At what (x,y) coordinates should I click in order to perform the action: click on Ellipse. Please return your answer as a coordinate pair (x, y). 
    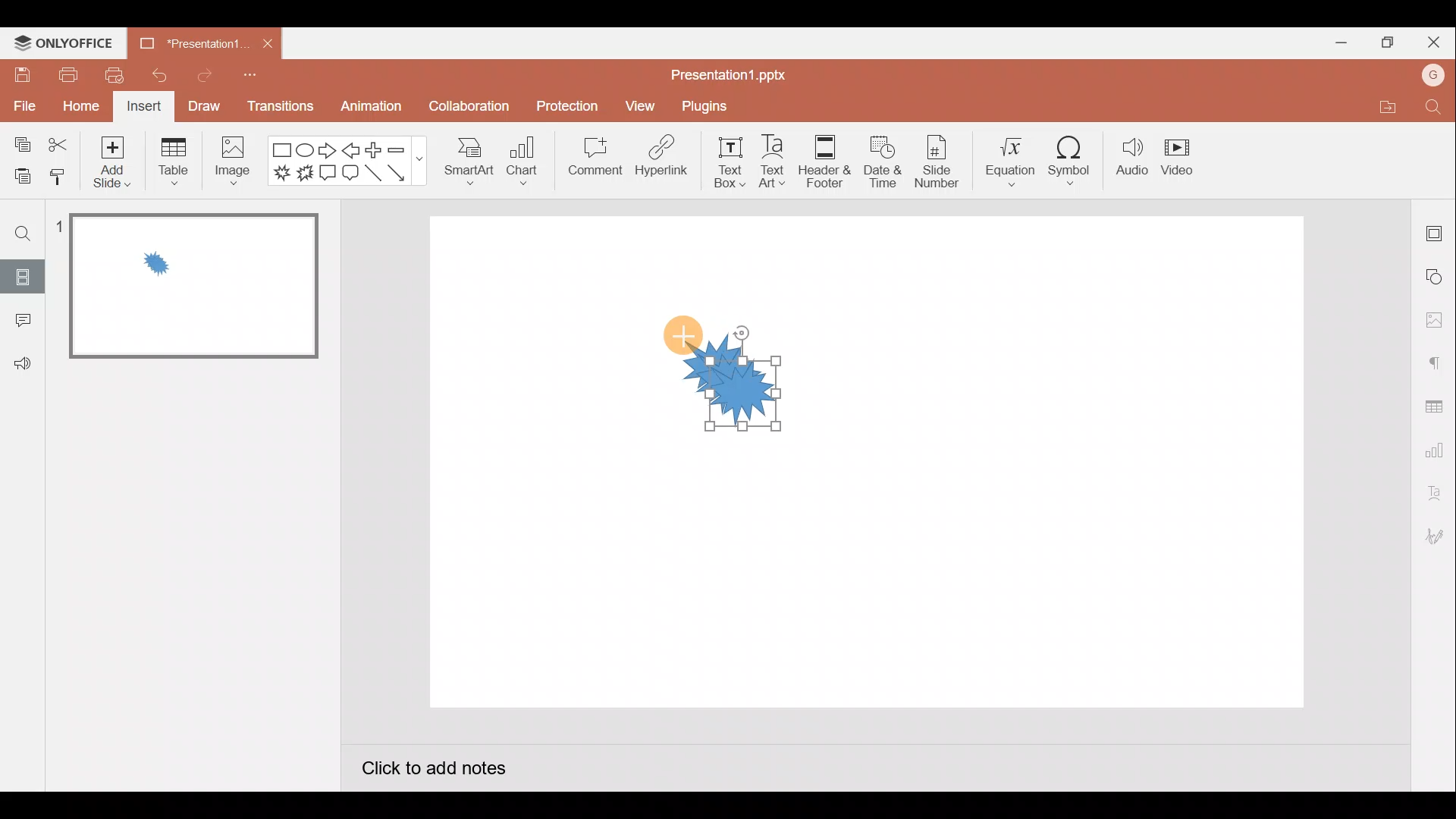
    Looking at the image, I should click on (308, 151).